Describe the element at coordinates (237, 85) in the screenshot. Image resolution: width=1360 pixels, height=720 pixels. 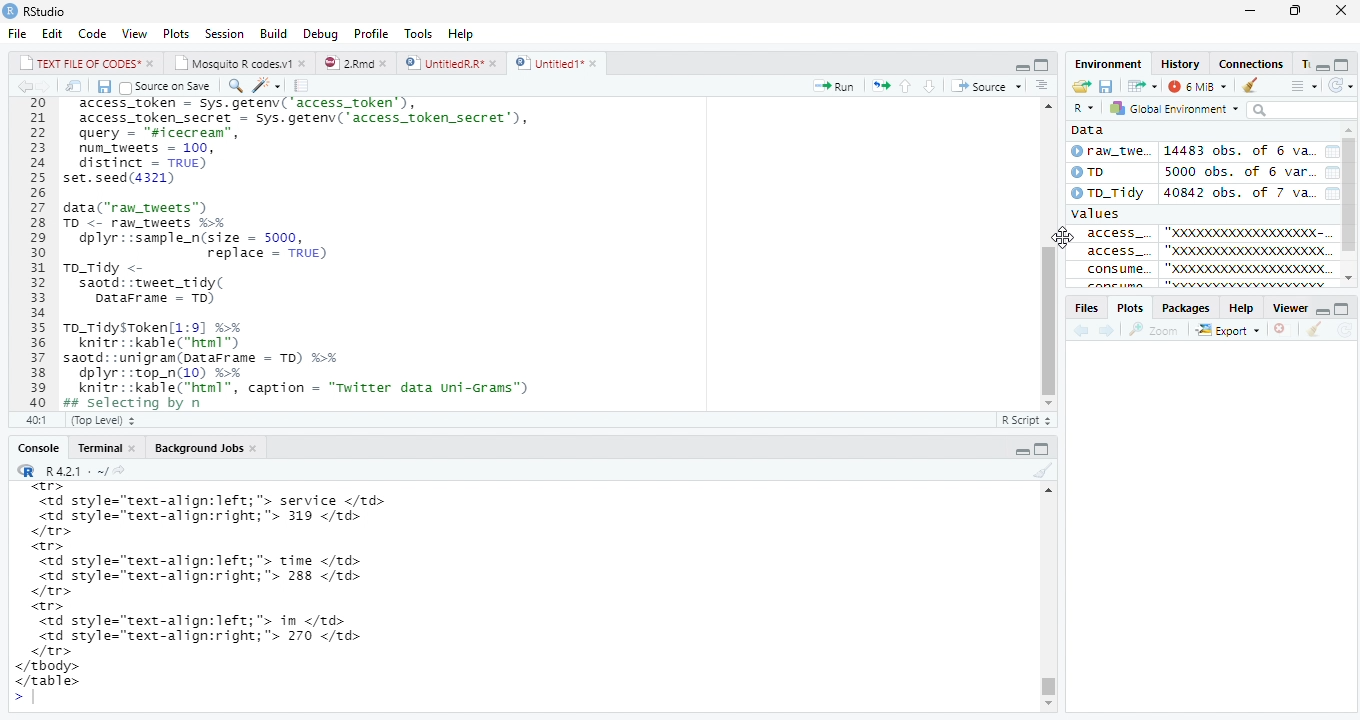
I see `find replace` at that location.